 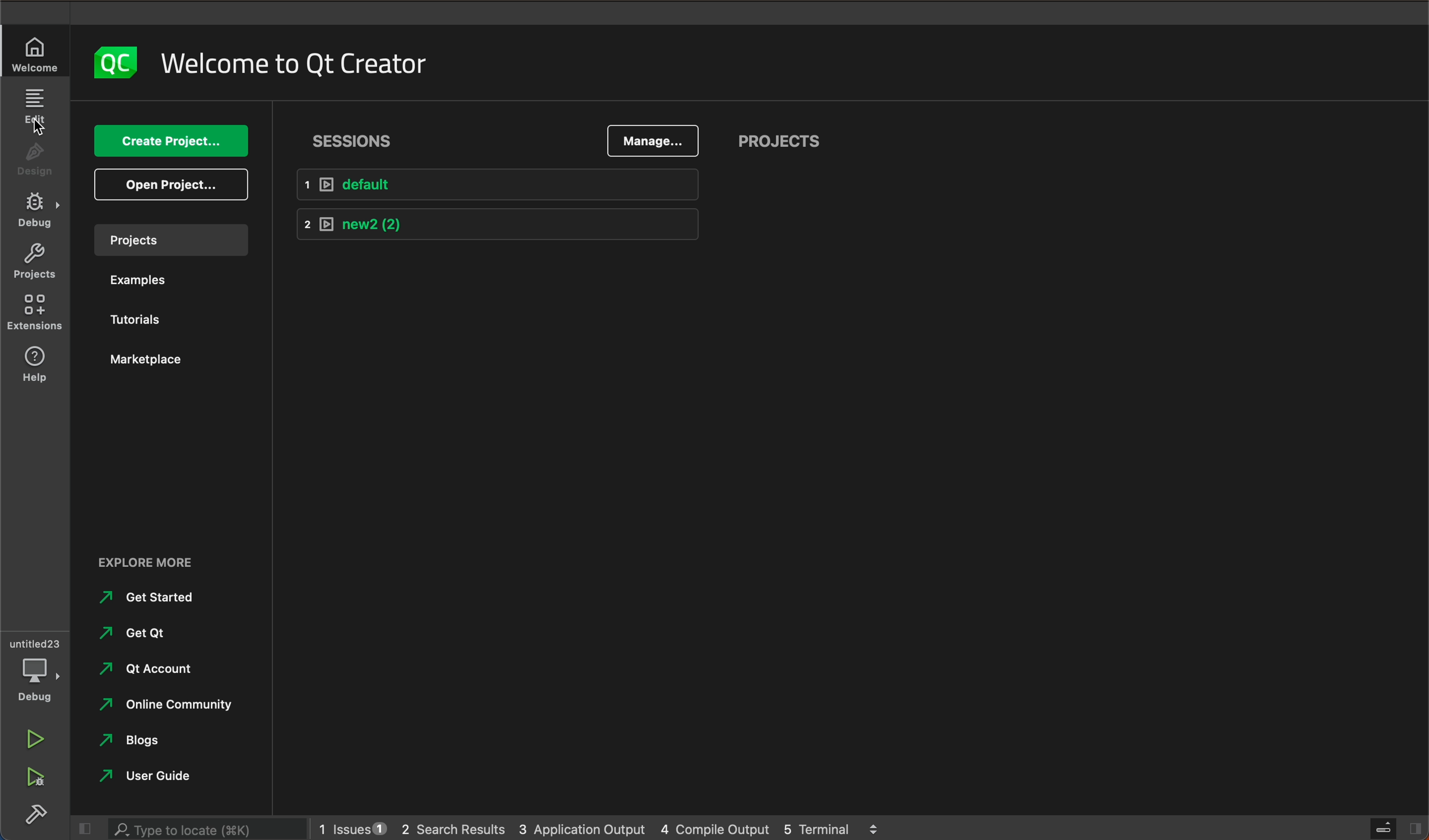 What do you see at coordinates (175, 141) in the screenshot?
I see `create` at bounding box center [175, 141].